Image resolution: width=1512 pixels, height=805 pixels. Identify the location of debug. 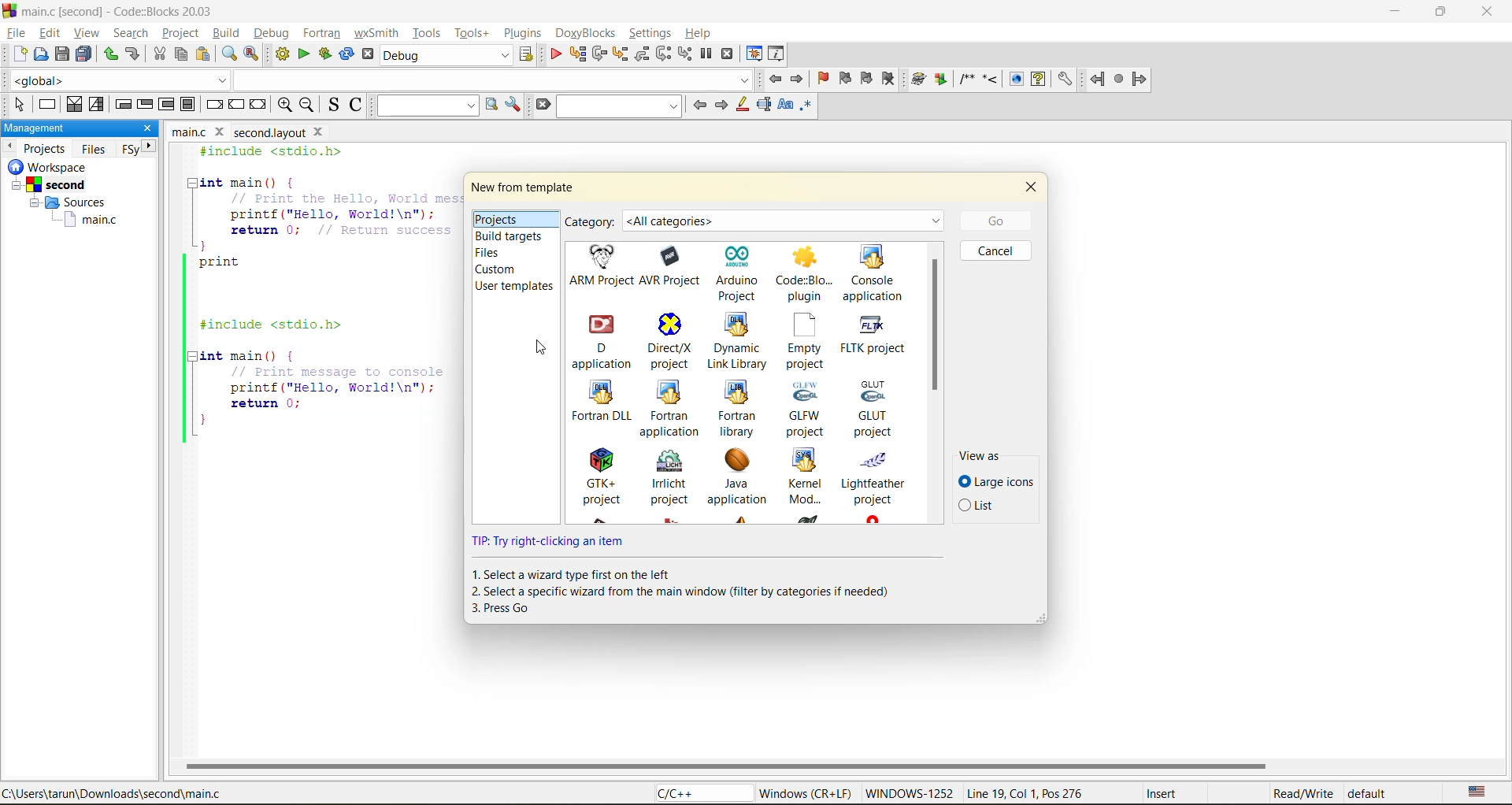
(272, 33).